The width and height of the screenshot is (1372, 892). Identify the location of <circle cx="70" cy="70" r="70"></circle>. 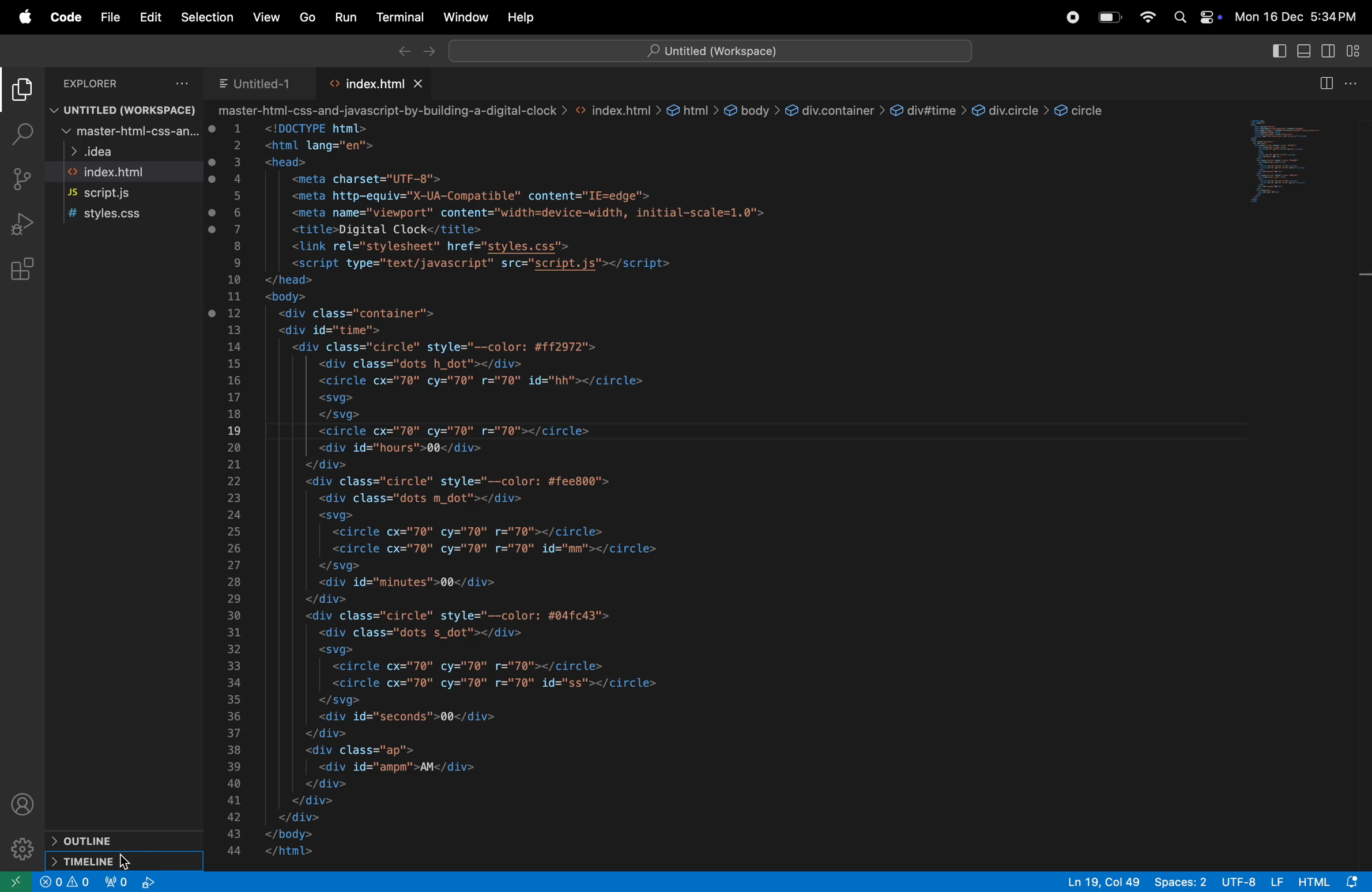
(479, 531).